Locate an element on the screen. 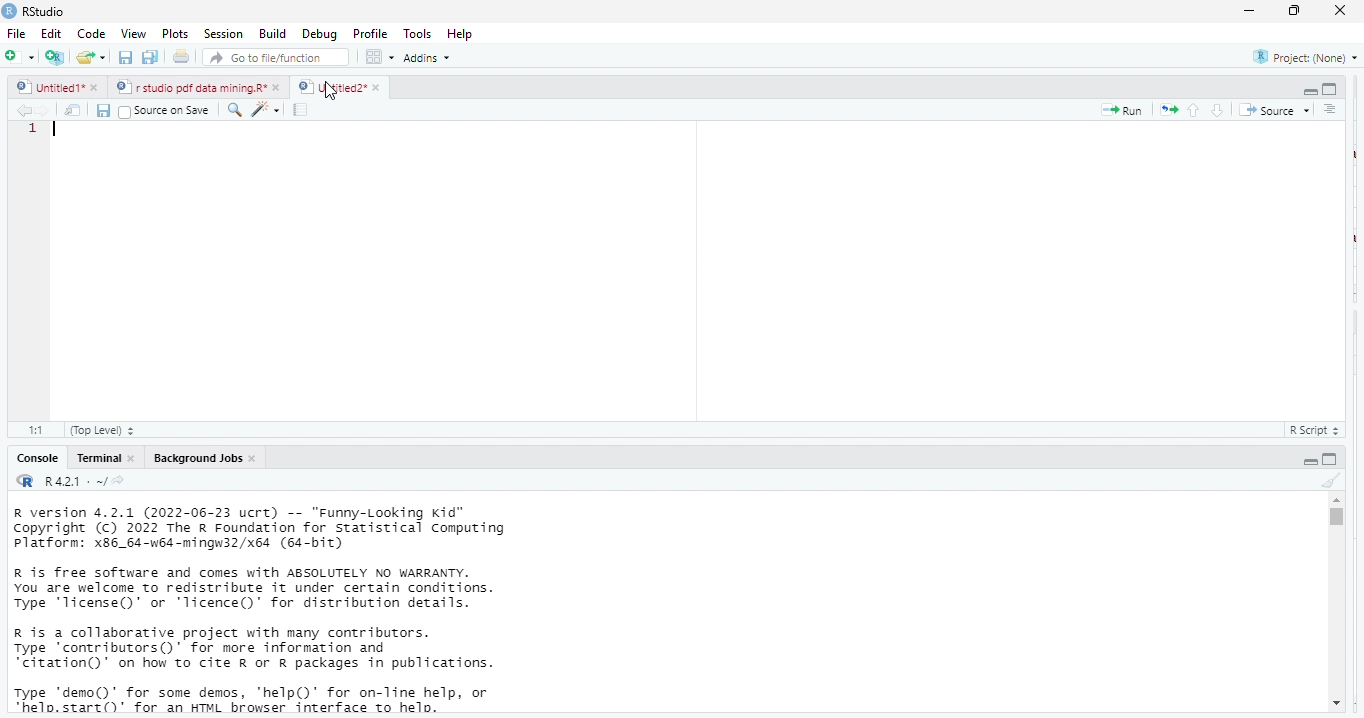 The image size is (1364, 718). options is located at coordinates (381, 56).